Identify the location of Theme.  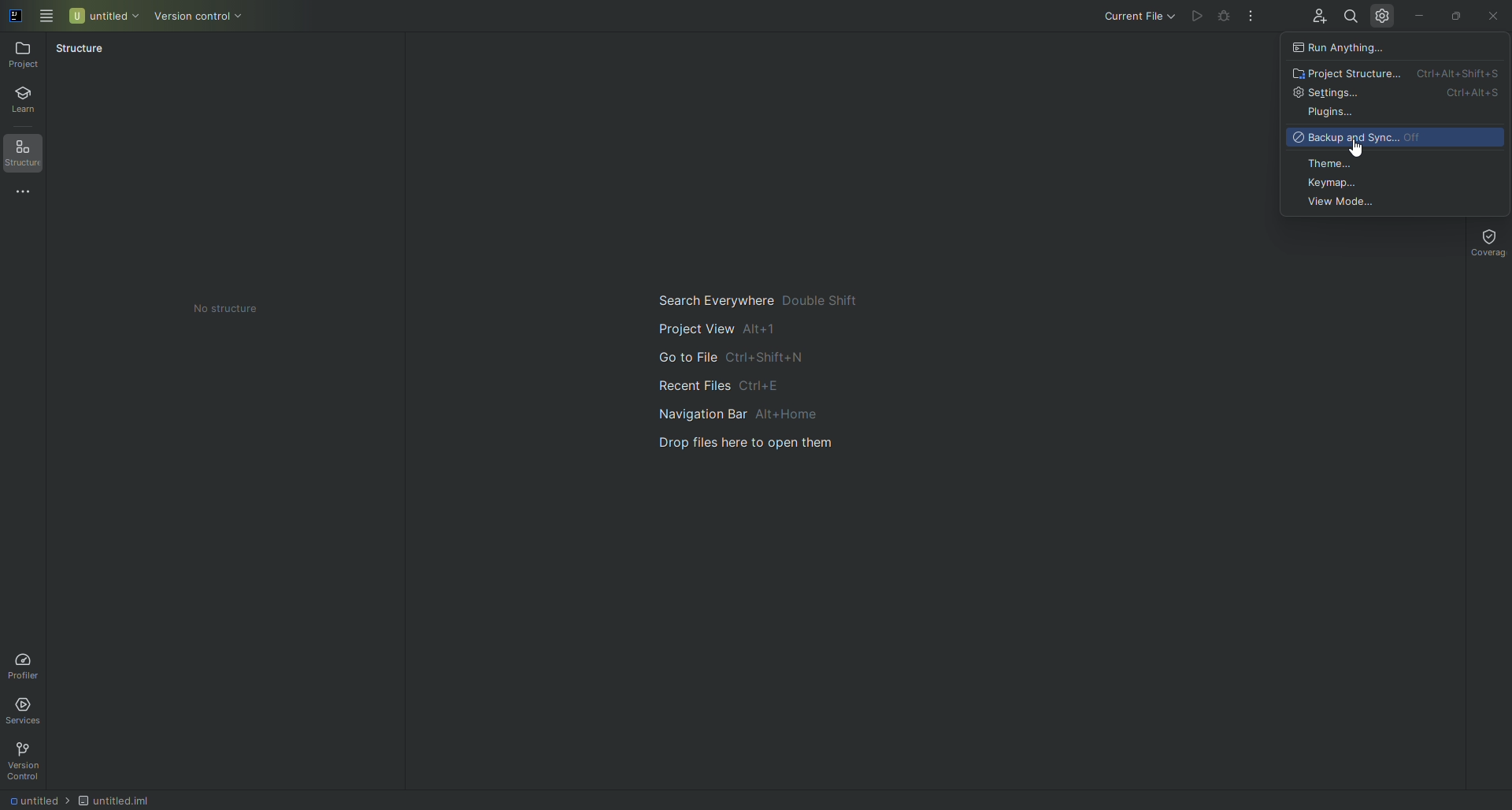
(1333, 162).